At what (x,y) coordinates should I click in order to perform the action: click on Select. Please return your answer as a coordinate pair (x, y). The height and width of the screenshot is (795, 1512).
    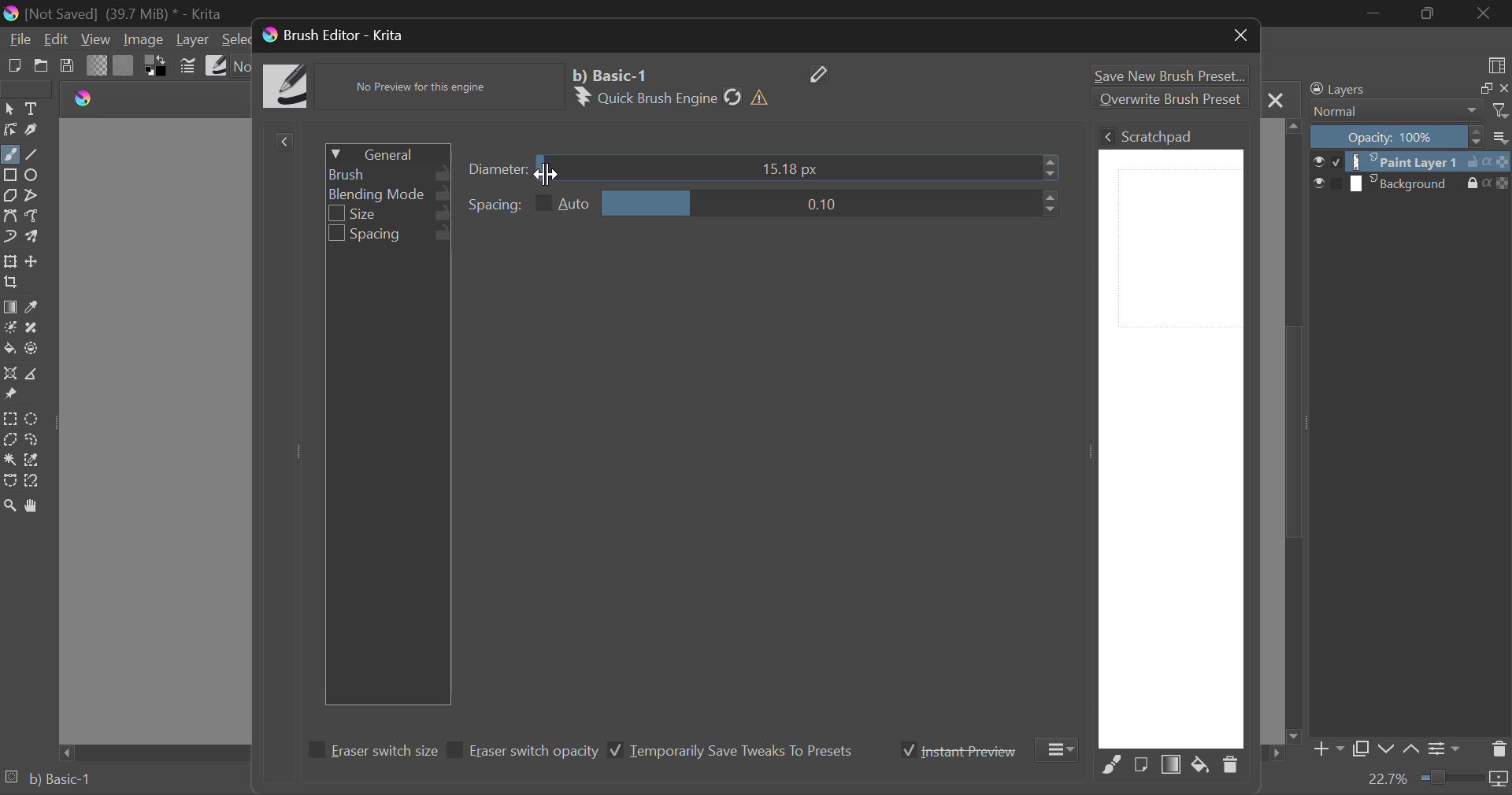
    Looking at the image, I should click on (9, 109).